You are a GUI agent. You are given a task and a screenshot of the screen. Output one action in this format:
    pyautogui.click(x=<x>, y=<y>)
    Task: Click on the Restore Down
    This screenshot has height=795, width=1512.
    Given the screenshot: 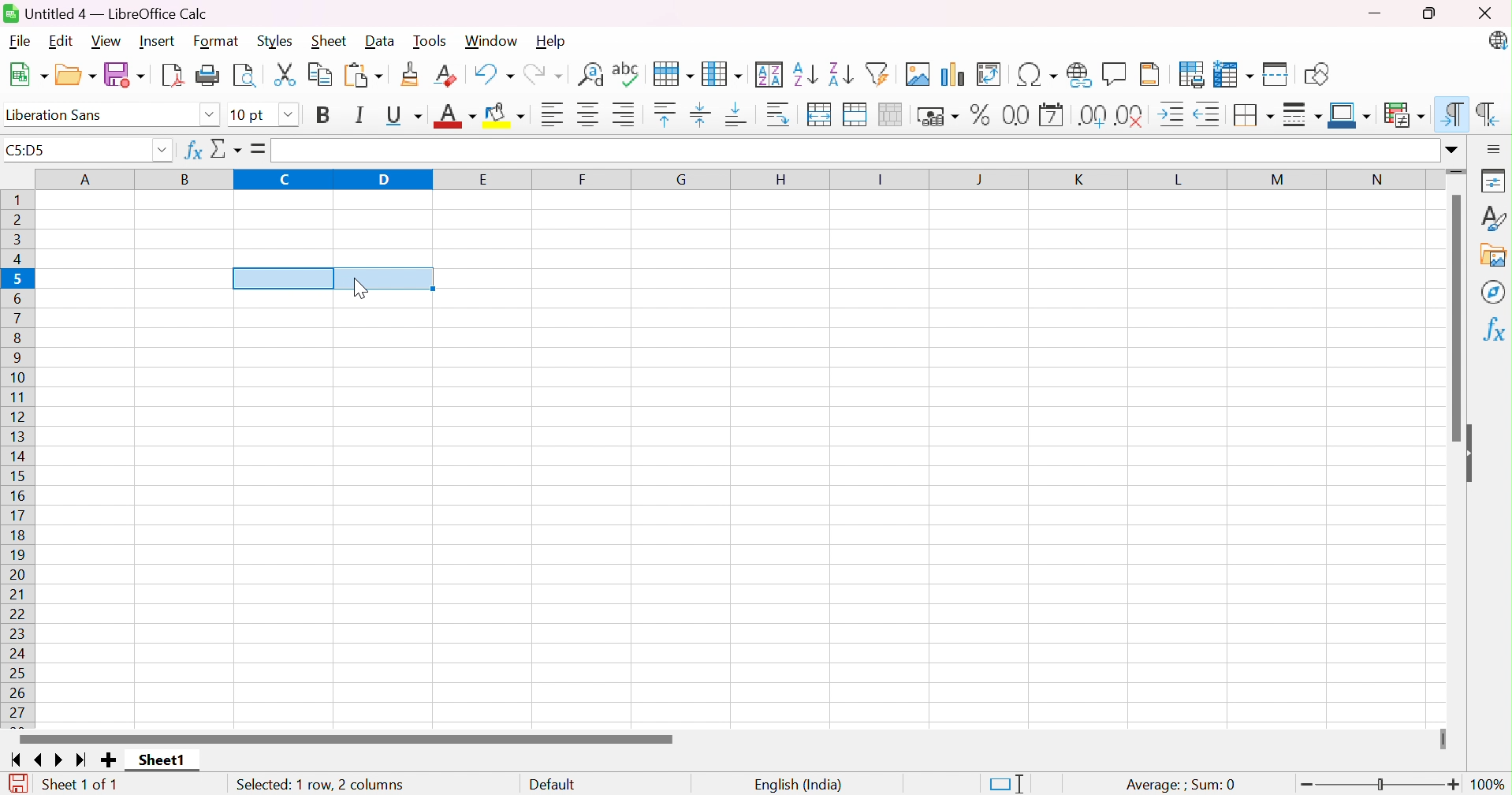 What is the action you would take?
    pyautogui.click(x=1430, y=13)
    